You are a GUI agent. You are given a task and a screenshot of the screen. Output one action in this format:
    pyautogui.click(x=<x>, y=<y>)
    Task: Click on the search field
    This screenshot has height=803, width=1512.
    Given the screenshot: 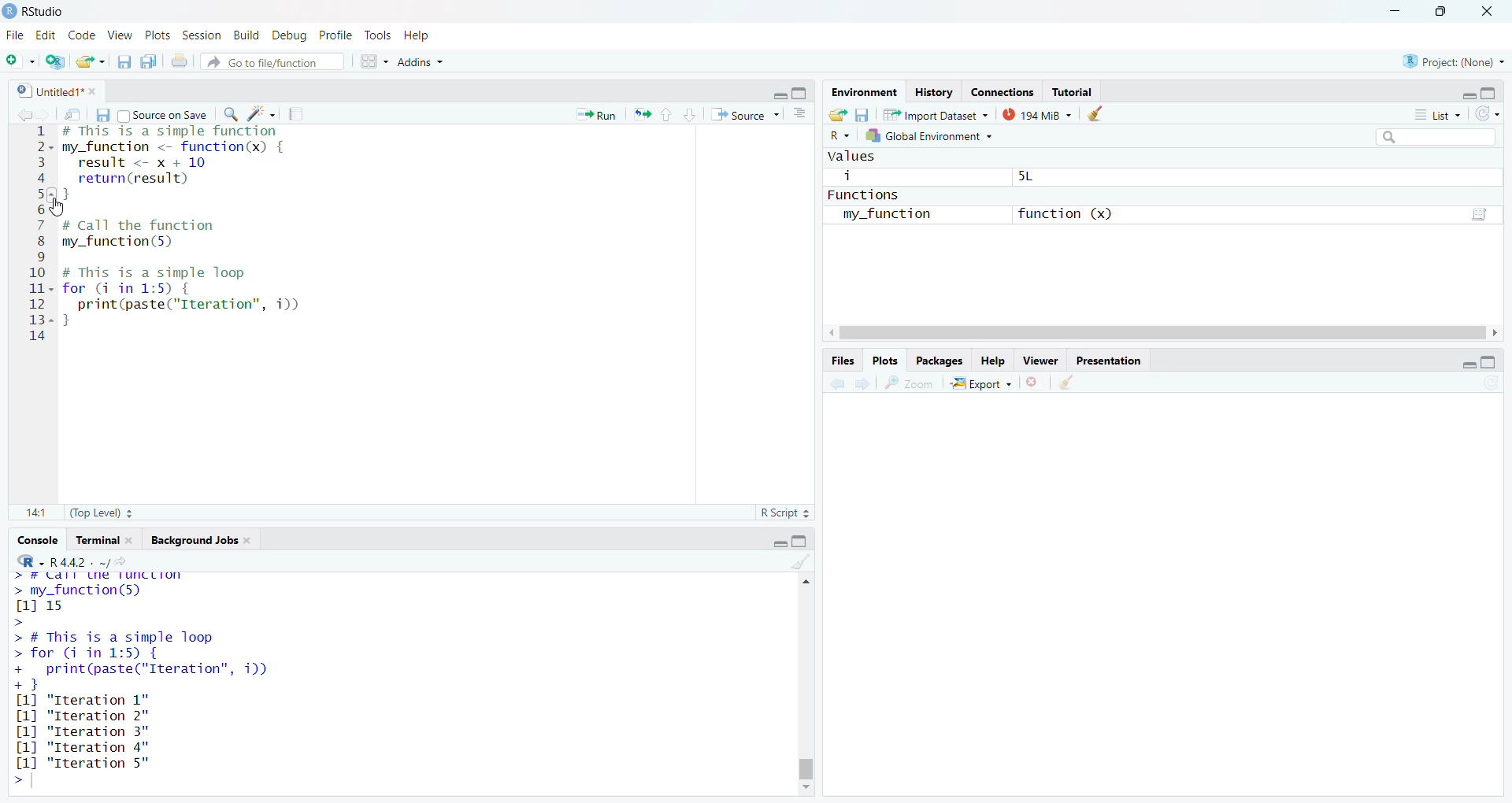 What is the action you would take?
    pyautogui.click(x=1432, y=136)
    